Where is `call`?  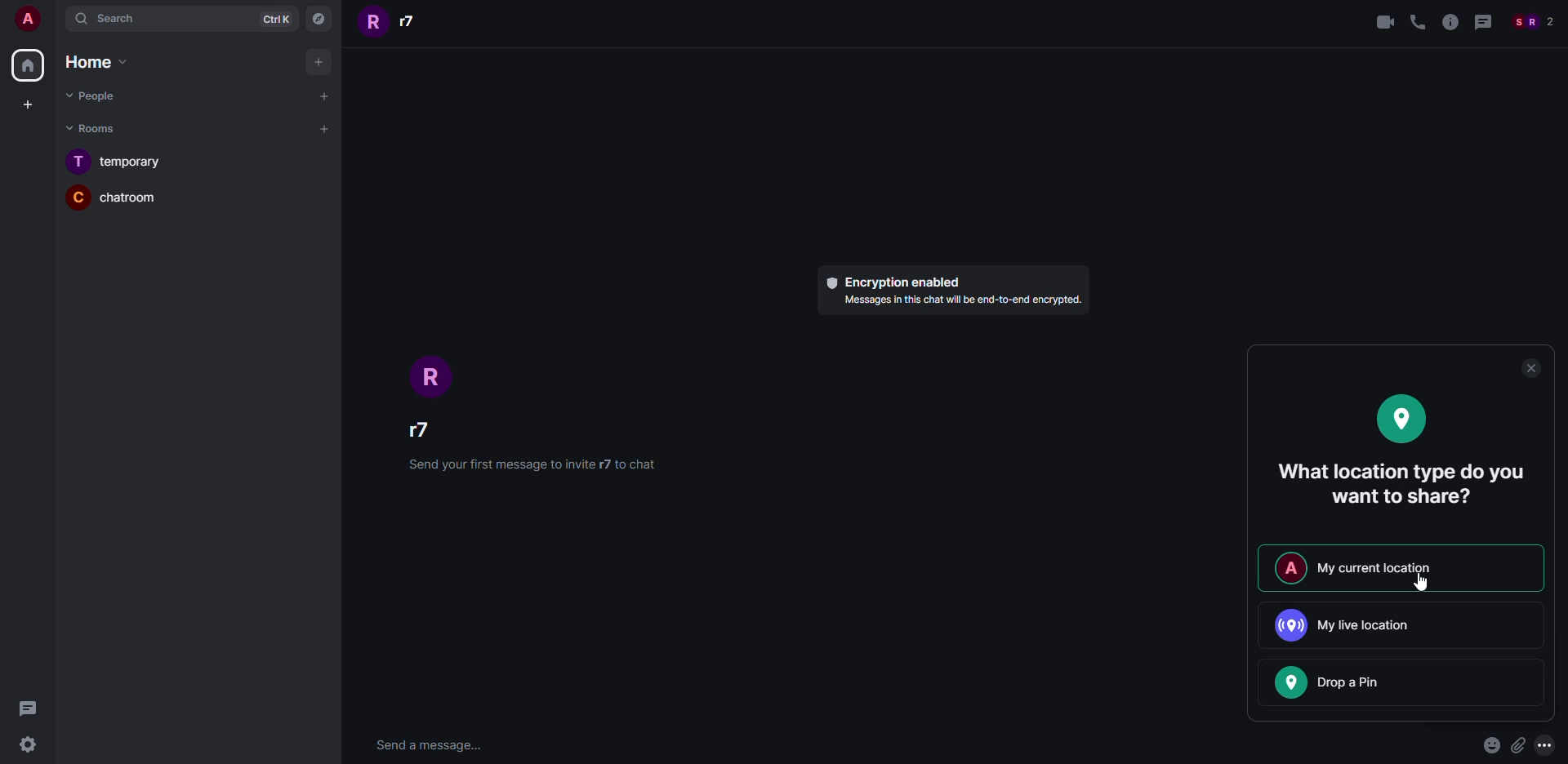 call is located at coordinates (1417, 23).